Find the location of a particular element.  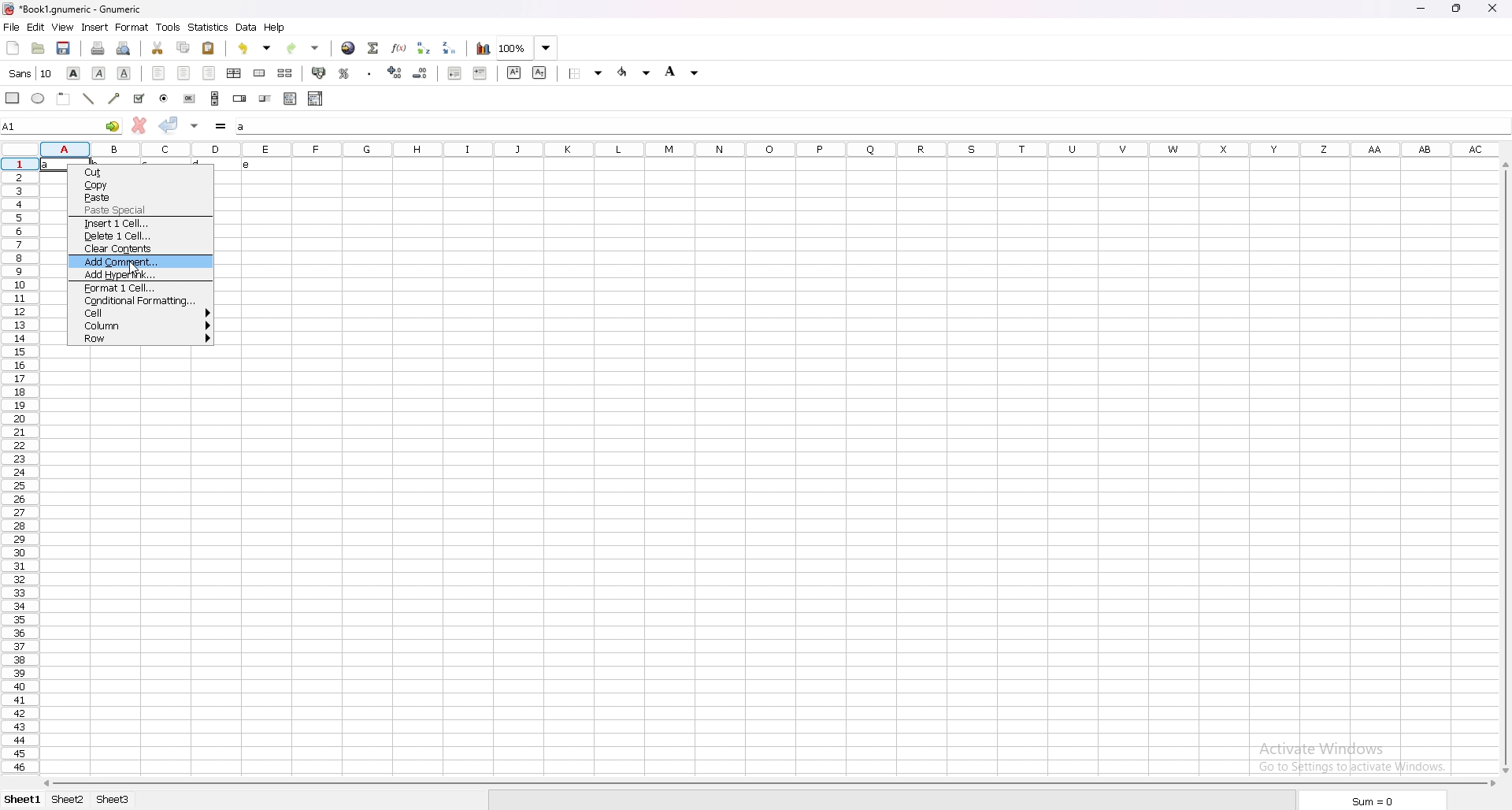

add comment is located at coordinates (140, 261).